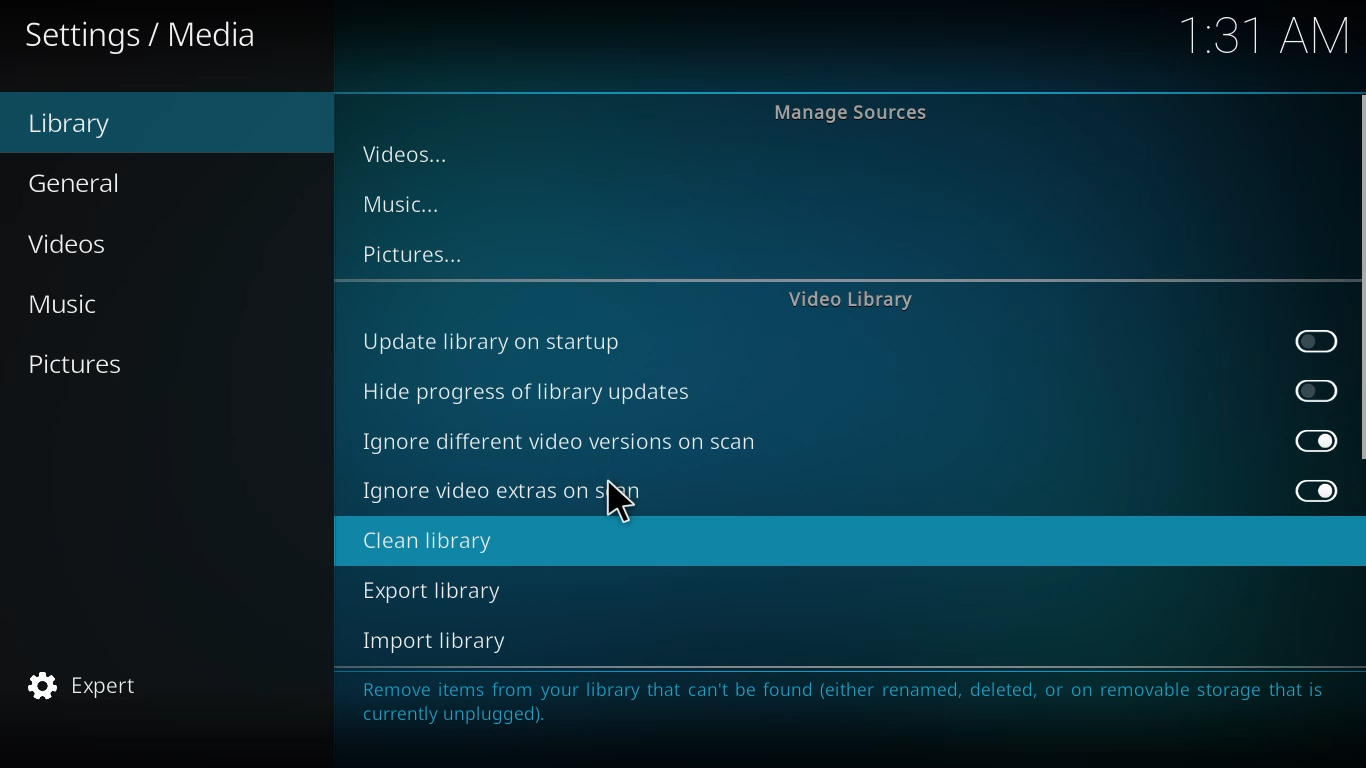 This screenshot has height=768, width=1366. Describe the element at coordinates (408, 203) in the screenshot. I see `music` at that location.